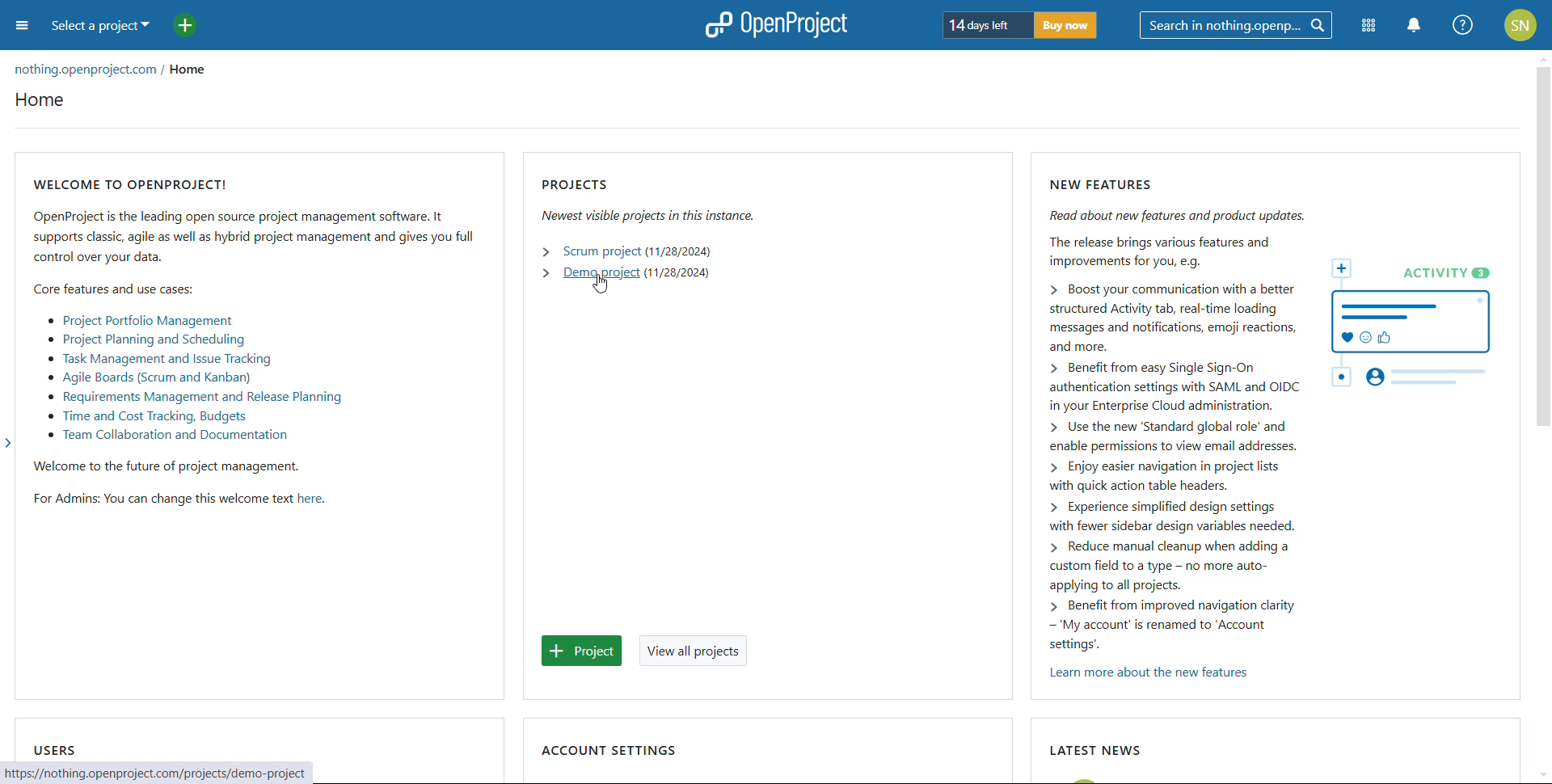 The width and height of the screenshot is (1552, 784). What do you see at coordinates (1155, 318) in the screenshot?
I see `> Boost your communication with a better
structured Activity tab, real-time loading
messages and notifications, emoji reactions,
and more.` at bounding box center [1155, 318].